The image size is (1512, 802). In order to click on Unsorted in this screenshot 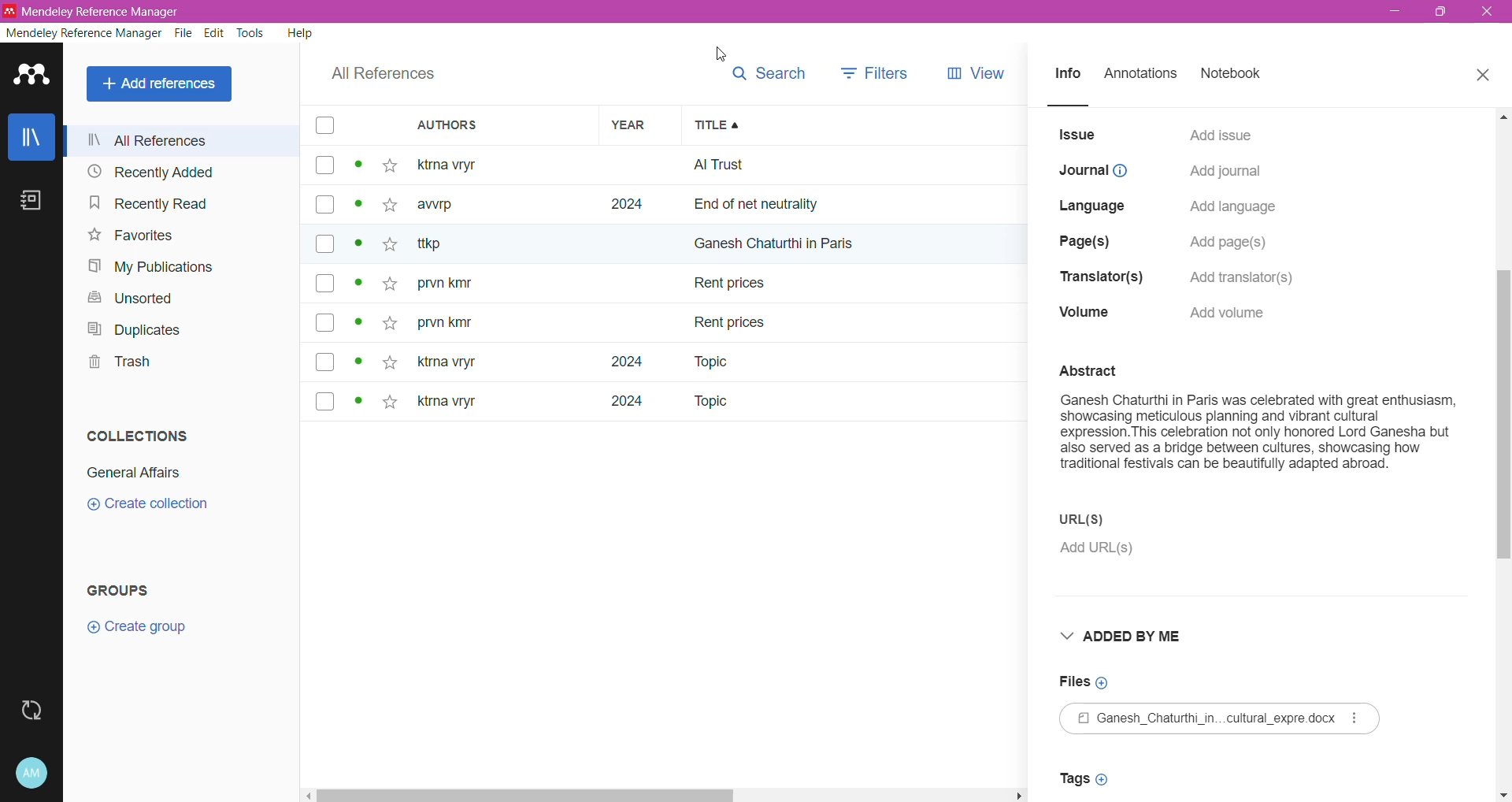, I will do `click(126, 297)`.